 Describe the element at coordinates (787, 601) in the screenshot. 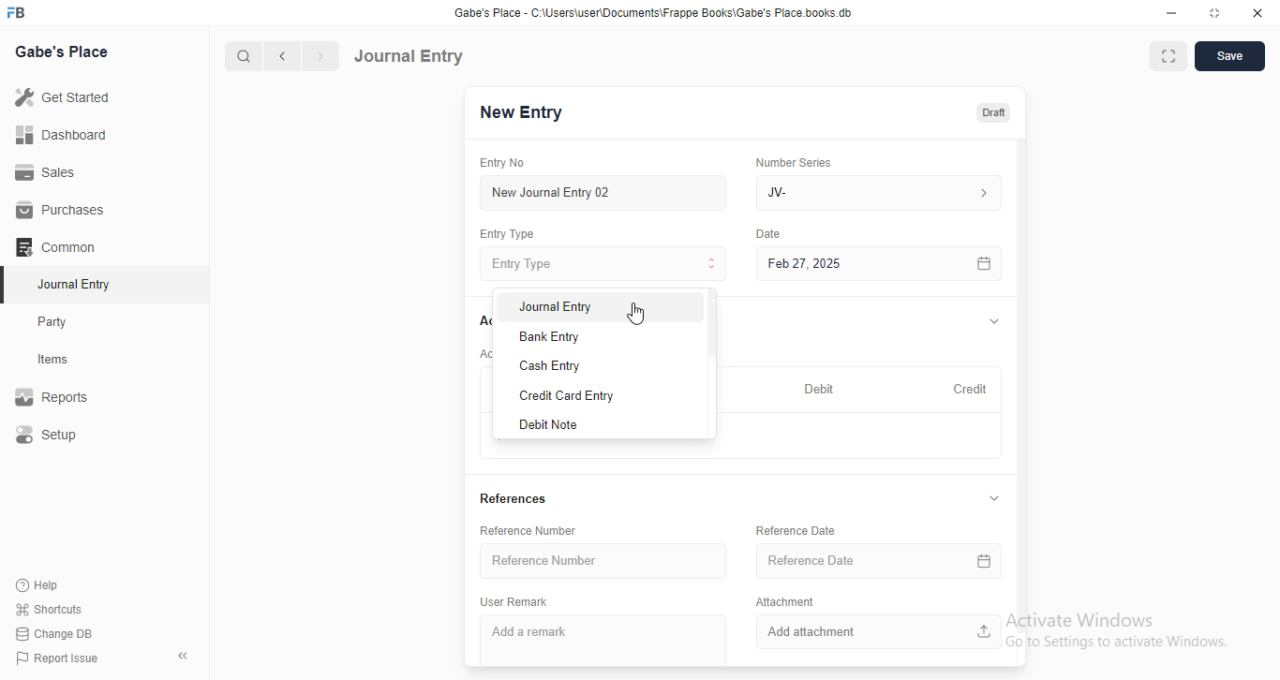

I see `‘Attachment` at that location.